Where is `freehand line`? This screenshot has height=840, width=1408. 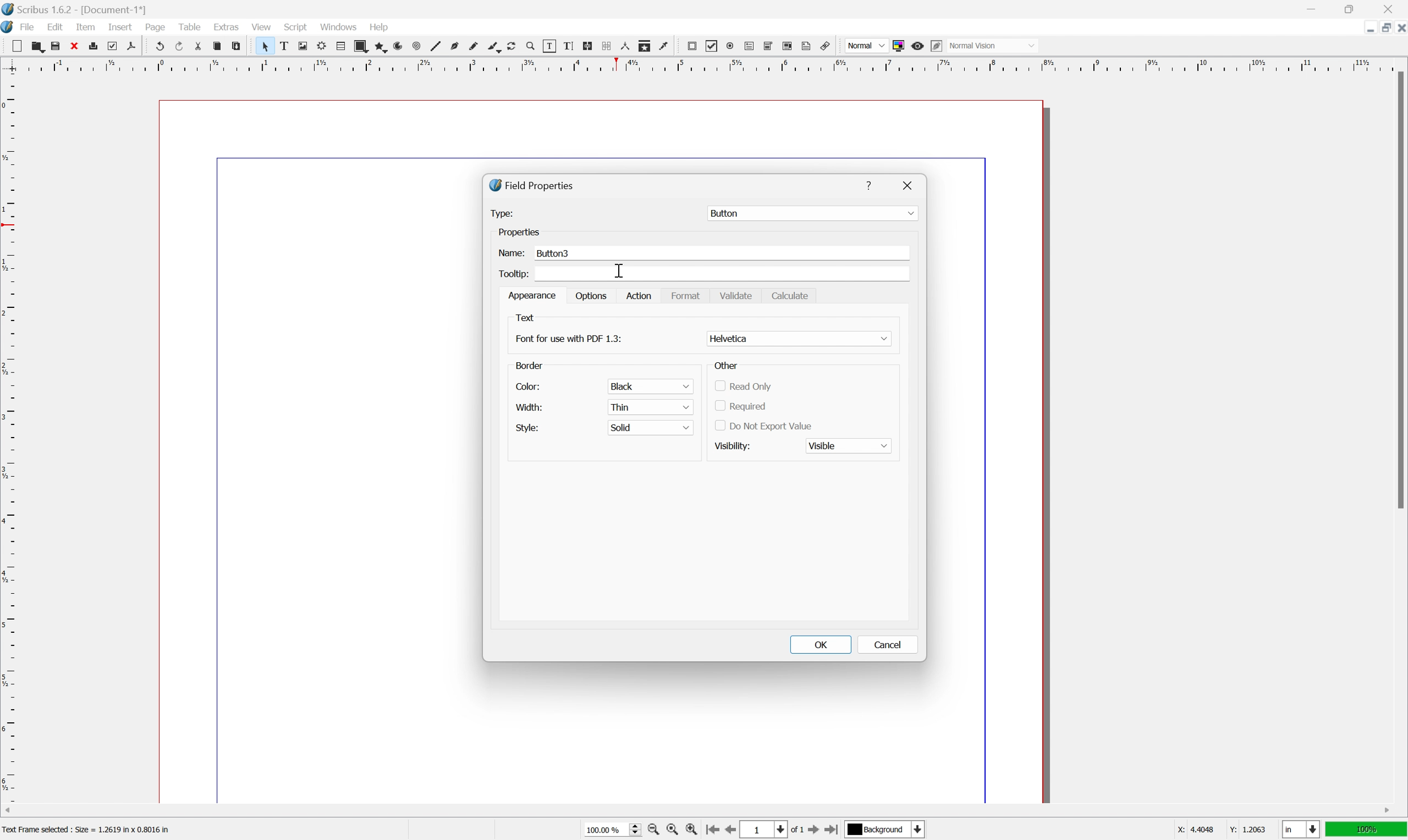 freehand line is located at coordinates (473, 46).